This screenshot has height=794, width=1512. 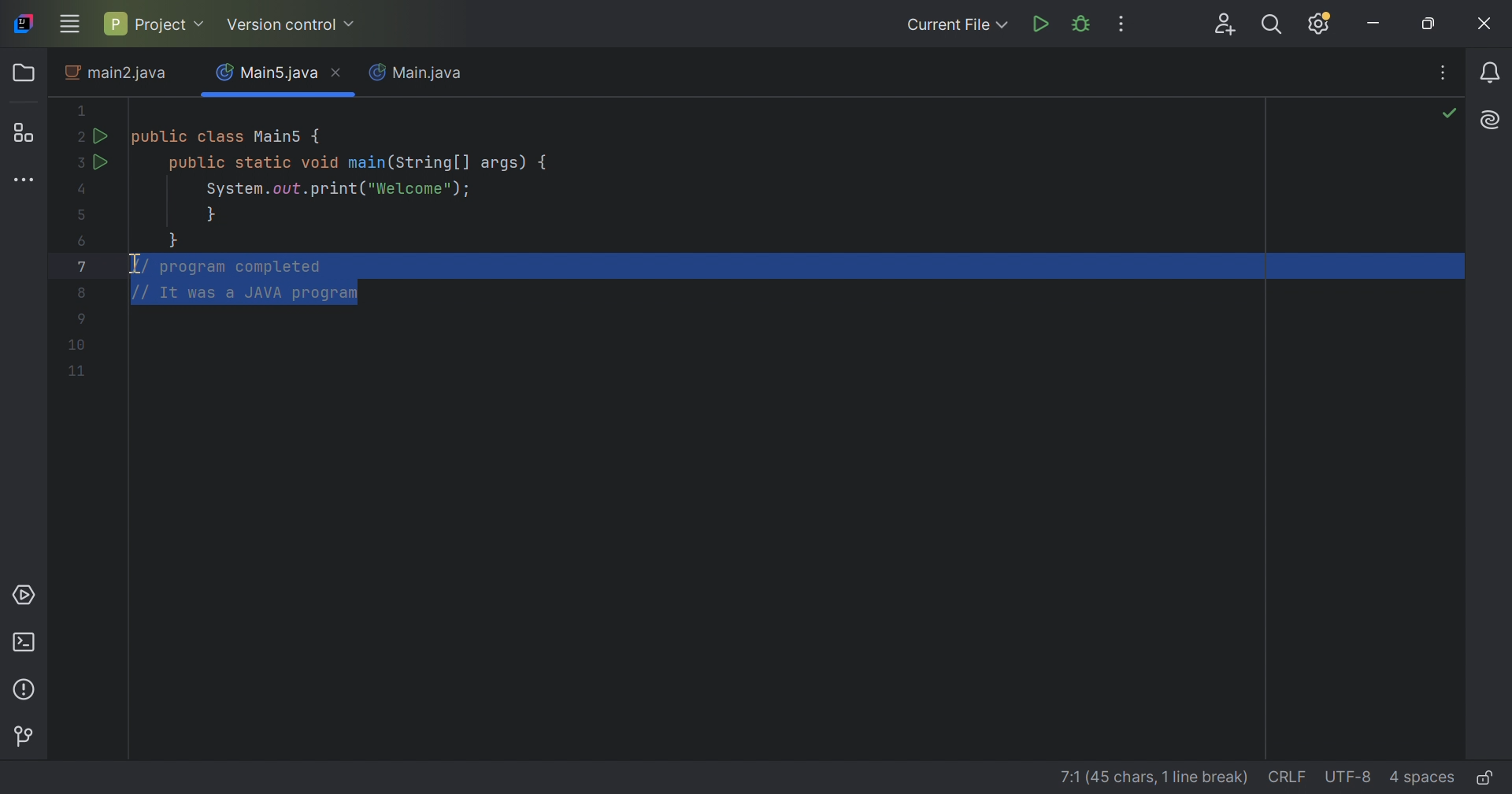 I want to click on Structure, so click(x=28, y=132).